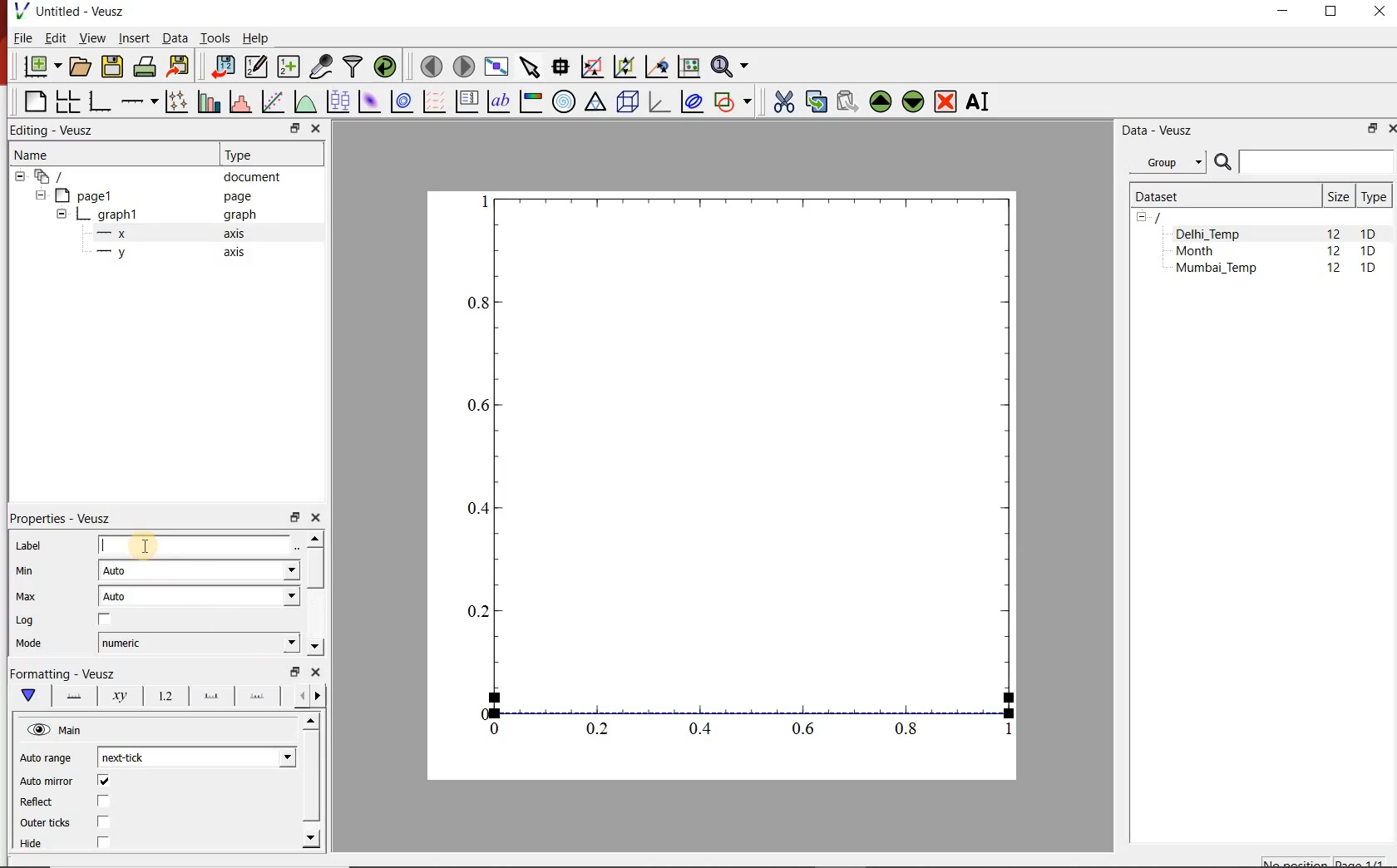 This screenshot has height=868, width=1397. I want to click on major ticks, so click(209, 696).